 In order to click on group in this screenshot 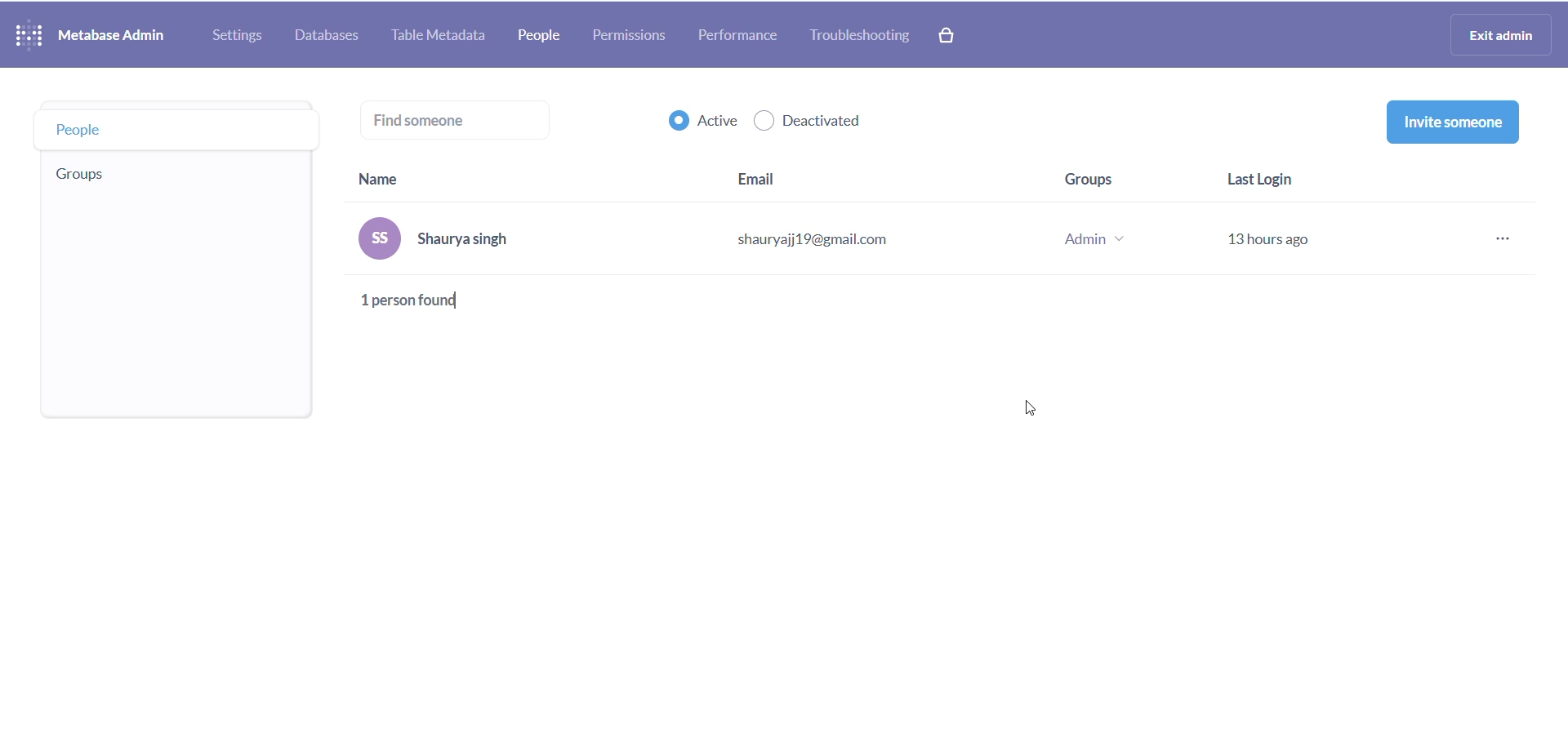, I will do `click(156, 179)`.